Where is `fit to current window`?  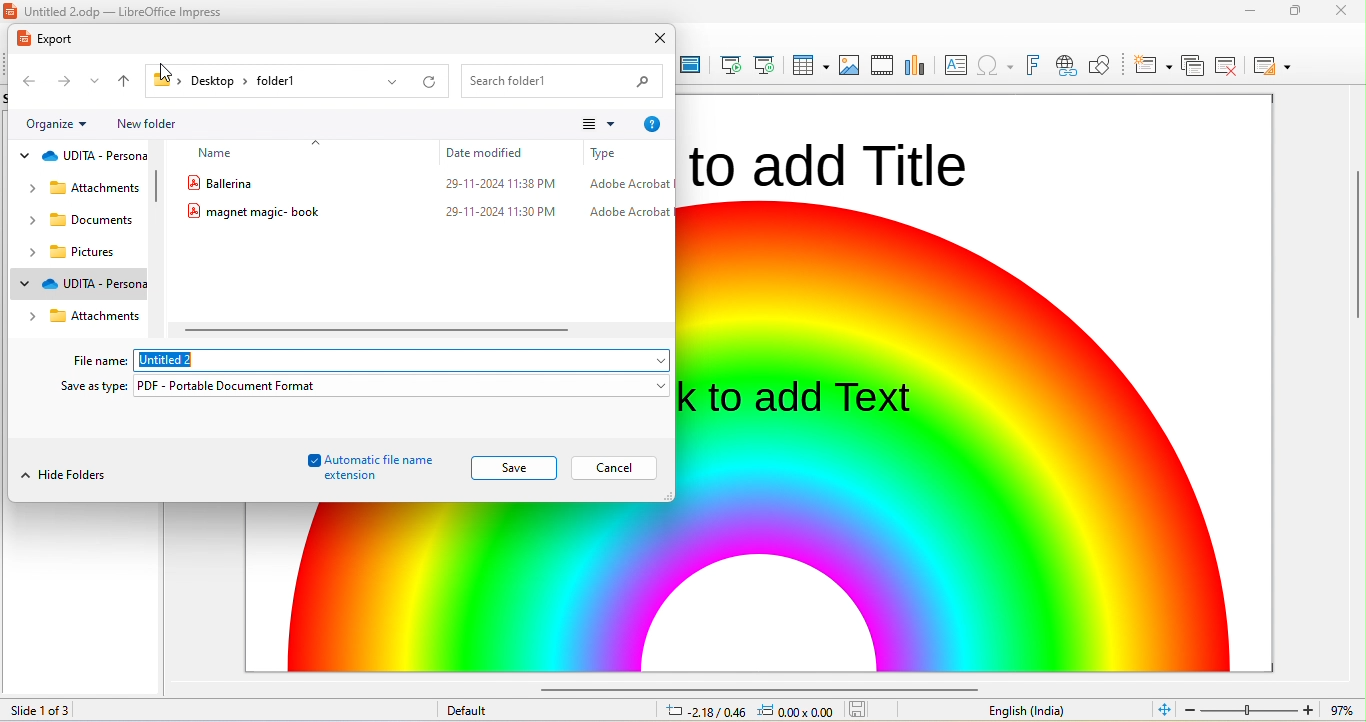 fit to current window is located at coordinates (1164, 708).